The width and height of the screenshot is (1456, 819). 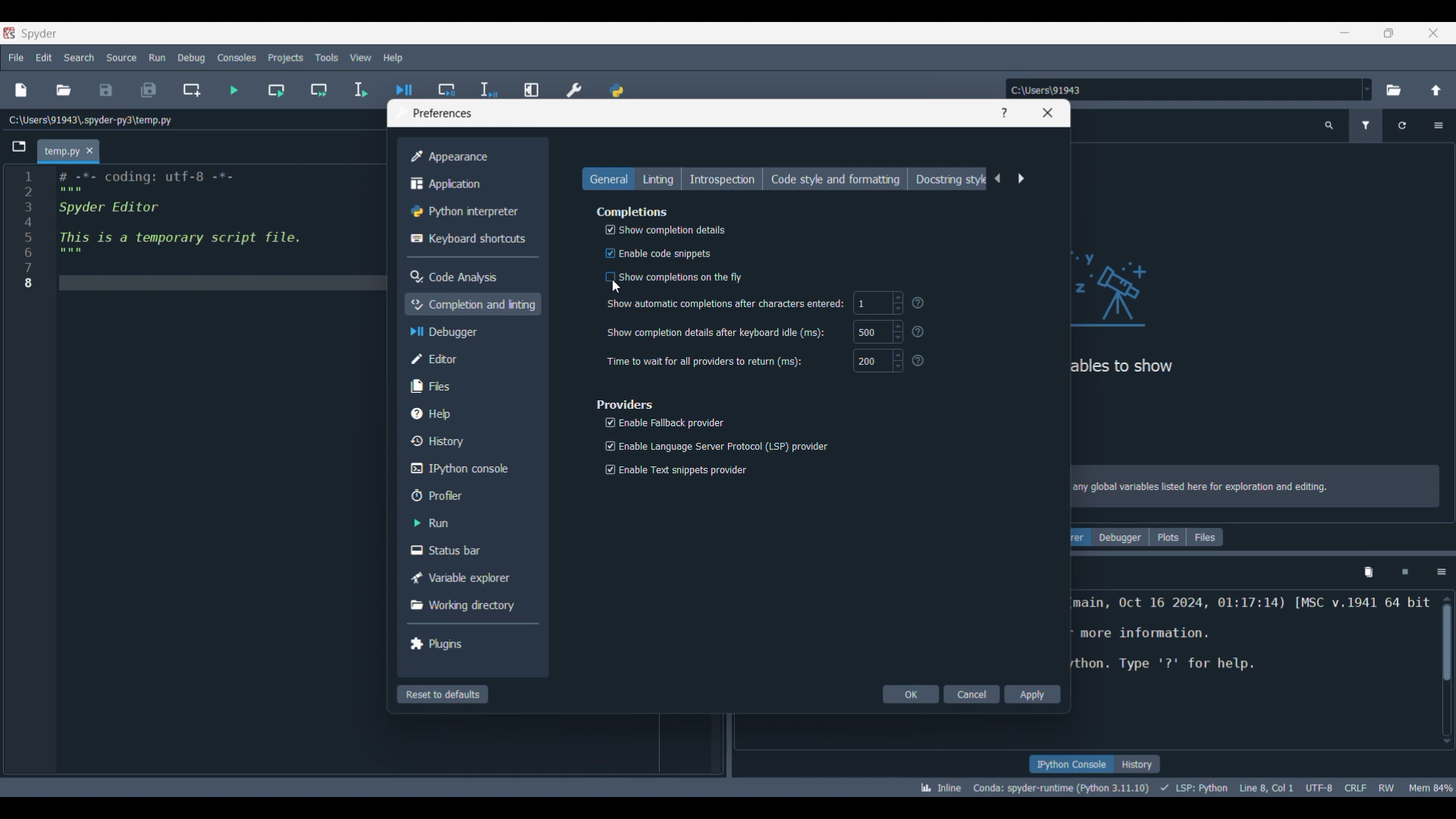 What do you see at coordinates (716, 333) in the screenshot?
I see `Show completion details after keyboard idle (ms):` at bounding box center [716, 333].